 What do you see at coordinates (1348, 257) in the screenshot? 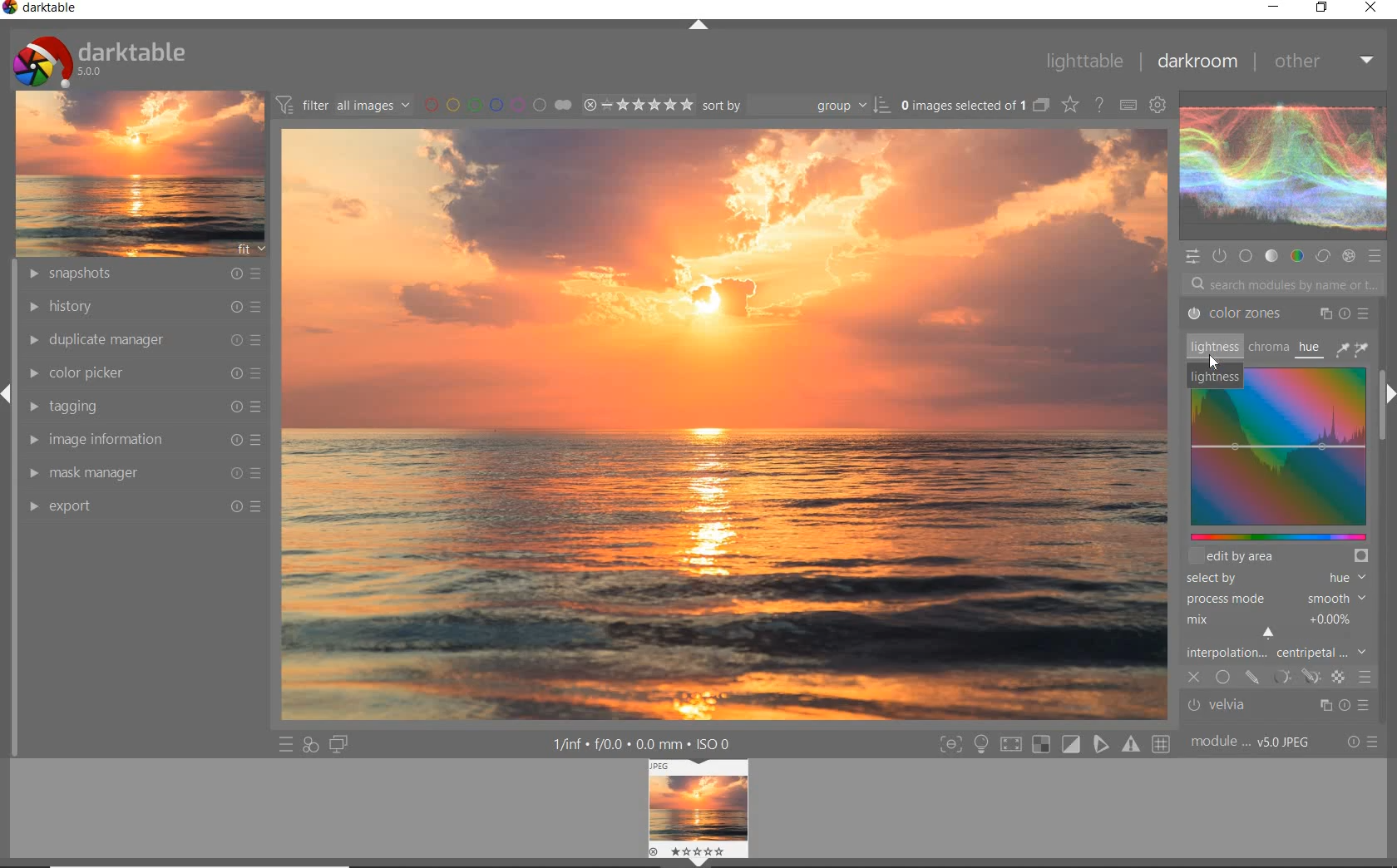
I see `EFFECT` at bounding box center [1348, 257].